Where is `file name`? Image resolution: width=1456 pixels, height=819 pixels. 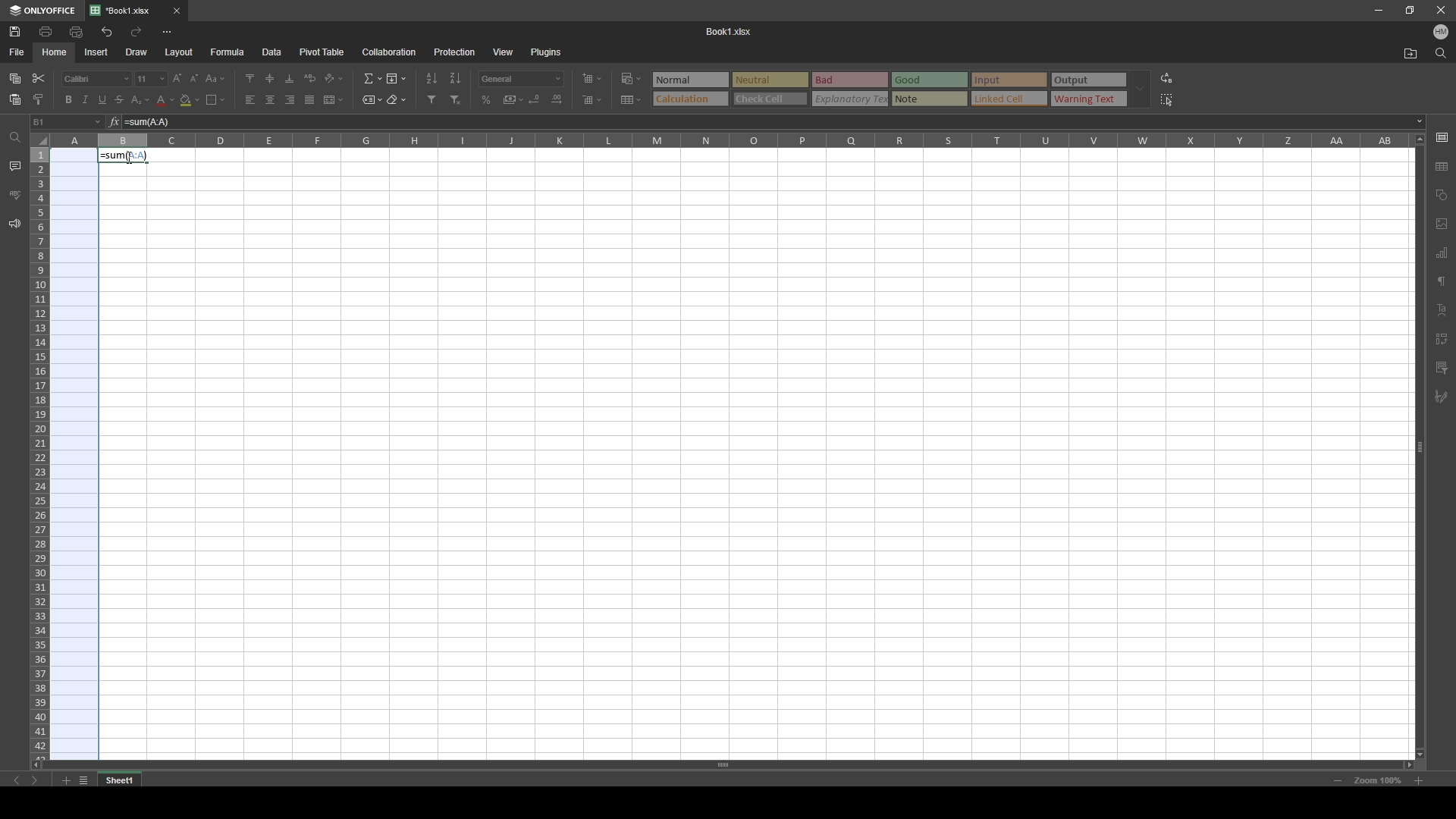
file name is located at coordinates (730, 30).